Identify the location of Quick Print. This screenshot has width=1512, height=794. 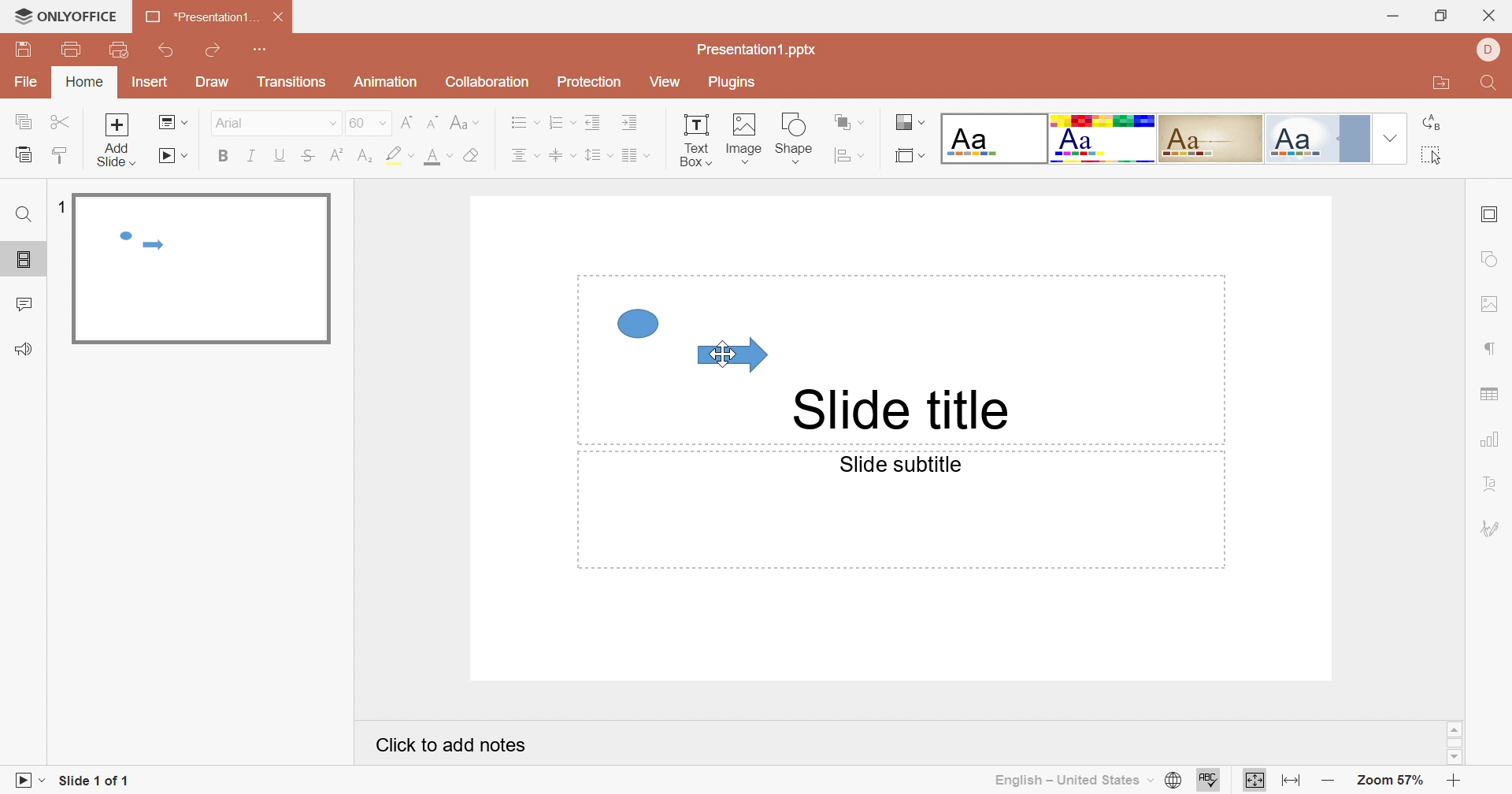
(117, 50).